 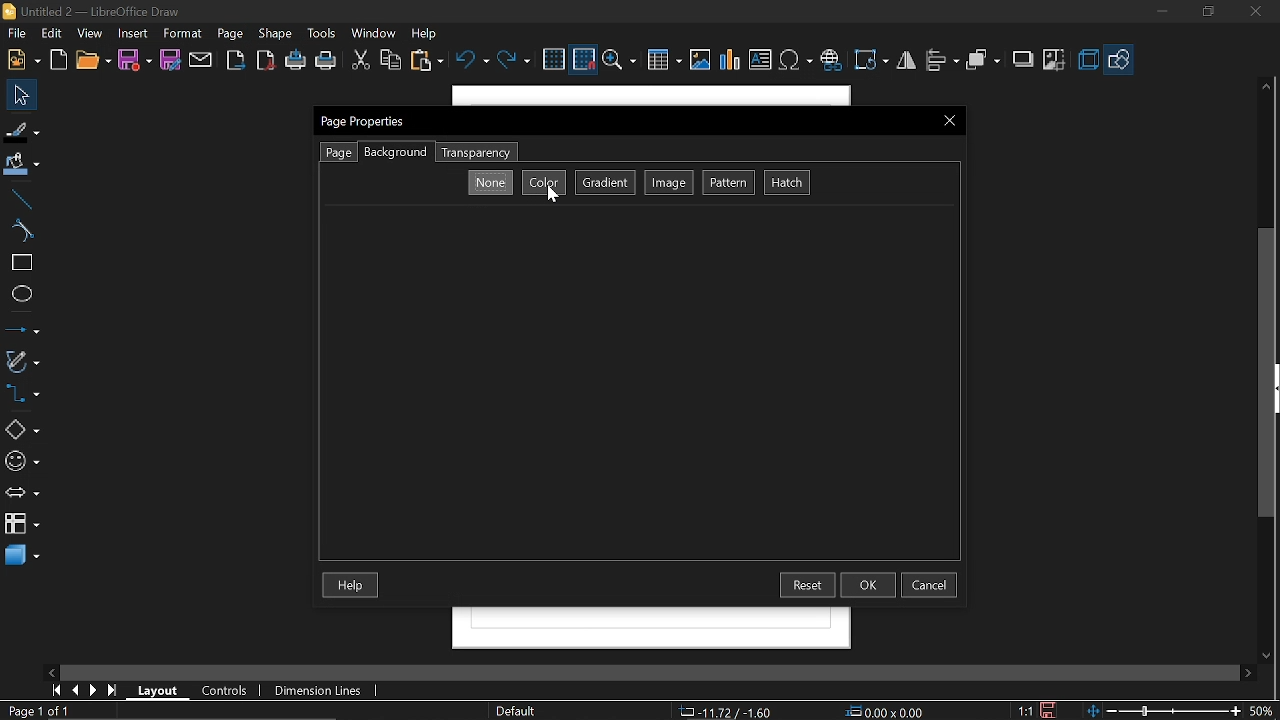 What do you see at coordinates (18, 33) in the screenshot?
I see `File` at bounding box center [18, 33].